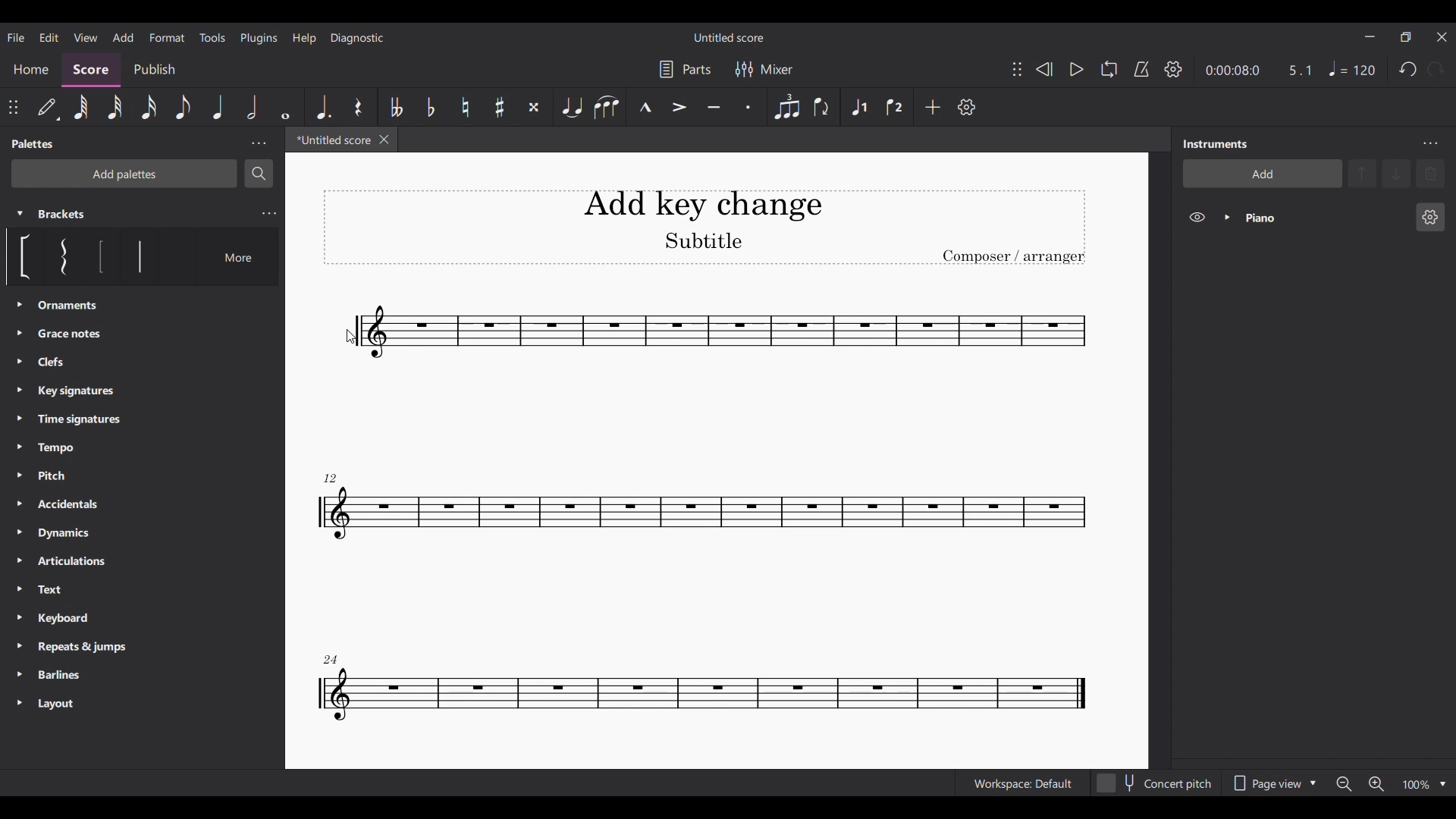 The height and width of the screenshot is (819, 1456). I want to click on Title, sub-title, and composer name, so click(704, 227).